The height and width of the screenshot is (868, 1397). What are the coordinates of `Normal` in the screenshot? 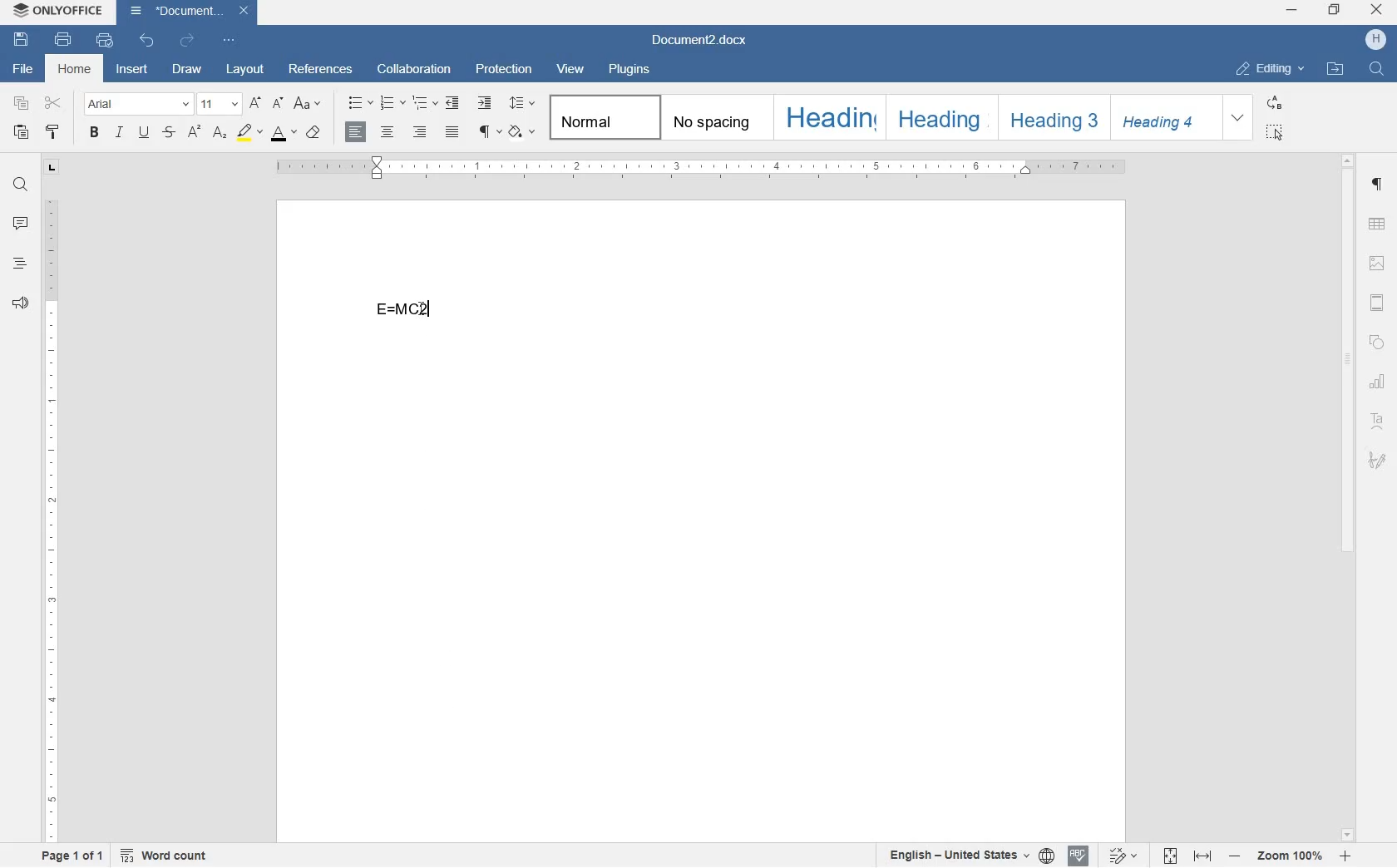 It's located at (602, 116).